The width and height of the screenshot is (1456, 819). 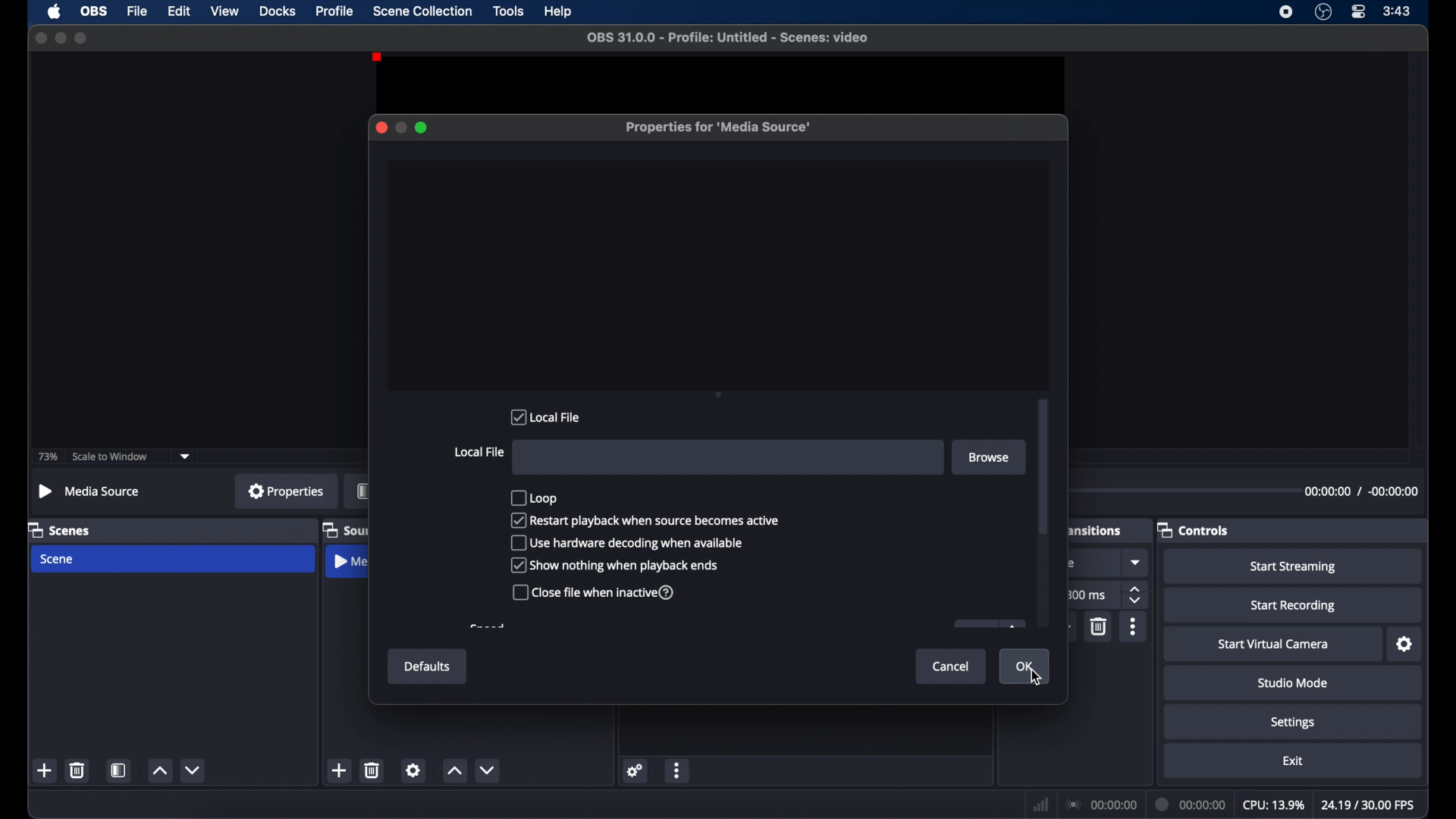 I want to click on OBS 31.0.0 - Profile: Untitled - Scenes: video, so click(x=728, y=38).